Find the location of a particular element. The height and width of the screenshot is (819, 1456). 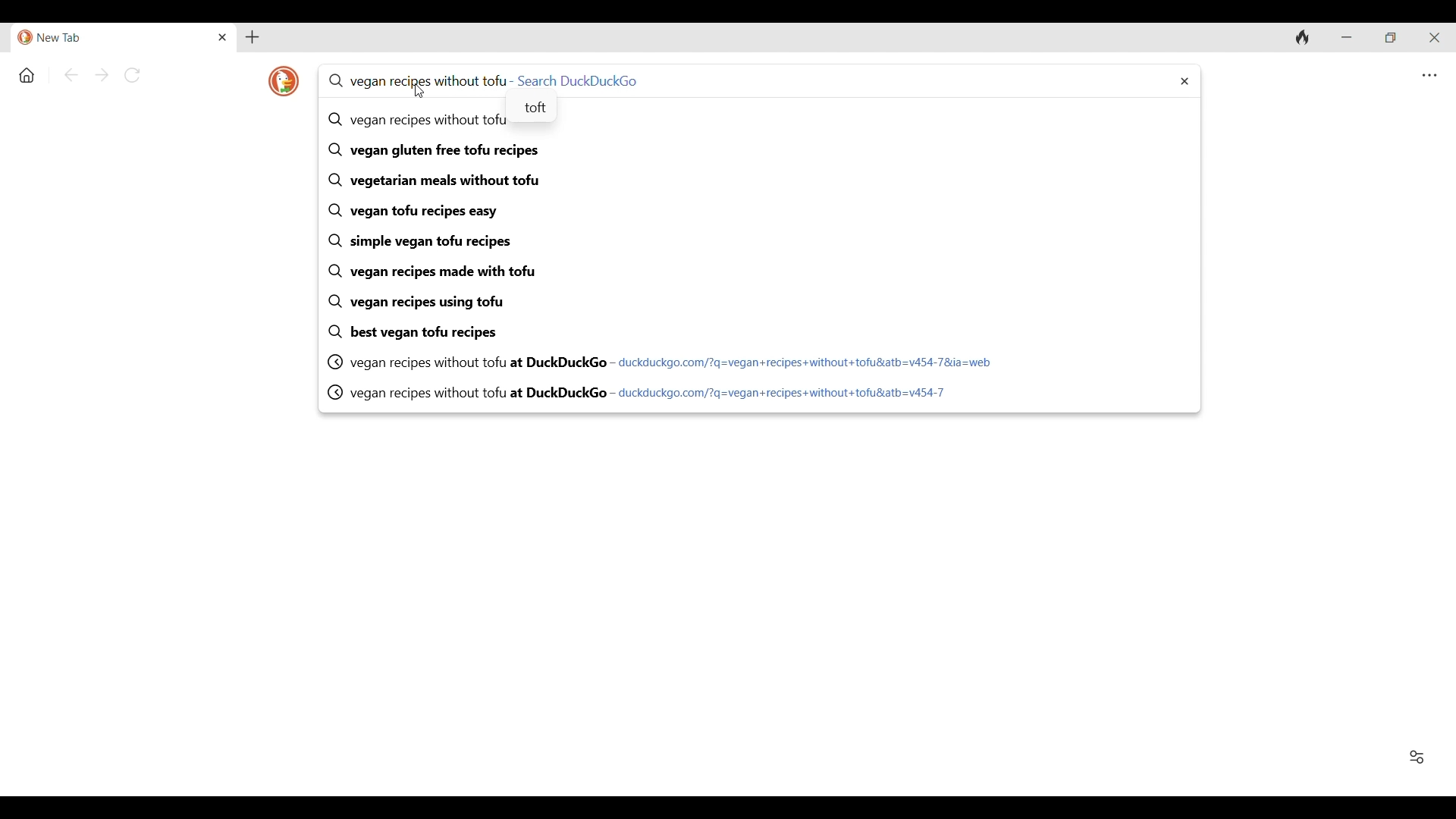

simple vegan tofu recipes is located at coordinates (759, 242).